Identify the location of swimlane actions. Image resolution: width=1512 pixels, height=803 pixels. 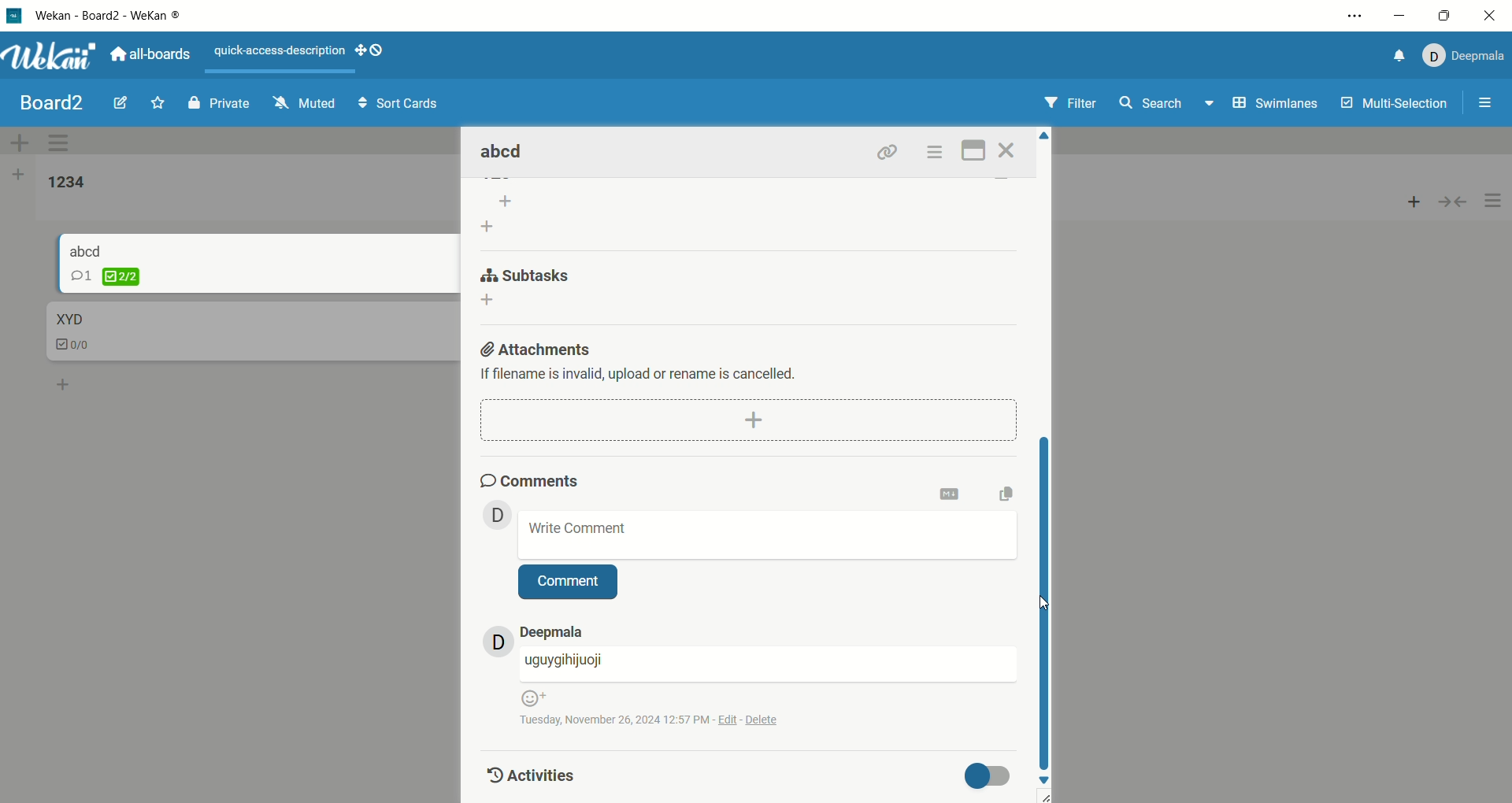
(62, 143).